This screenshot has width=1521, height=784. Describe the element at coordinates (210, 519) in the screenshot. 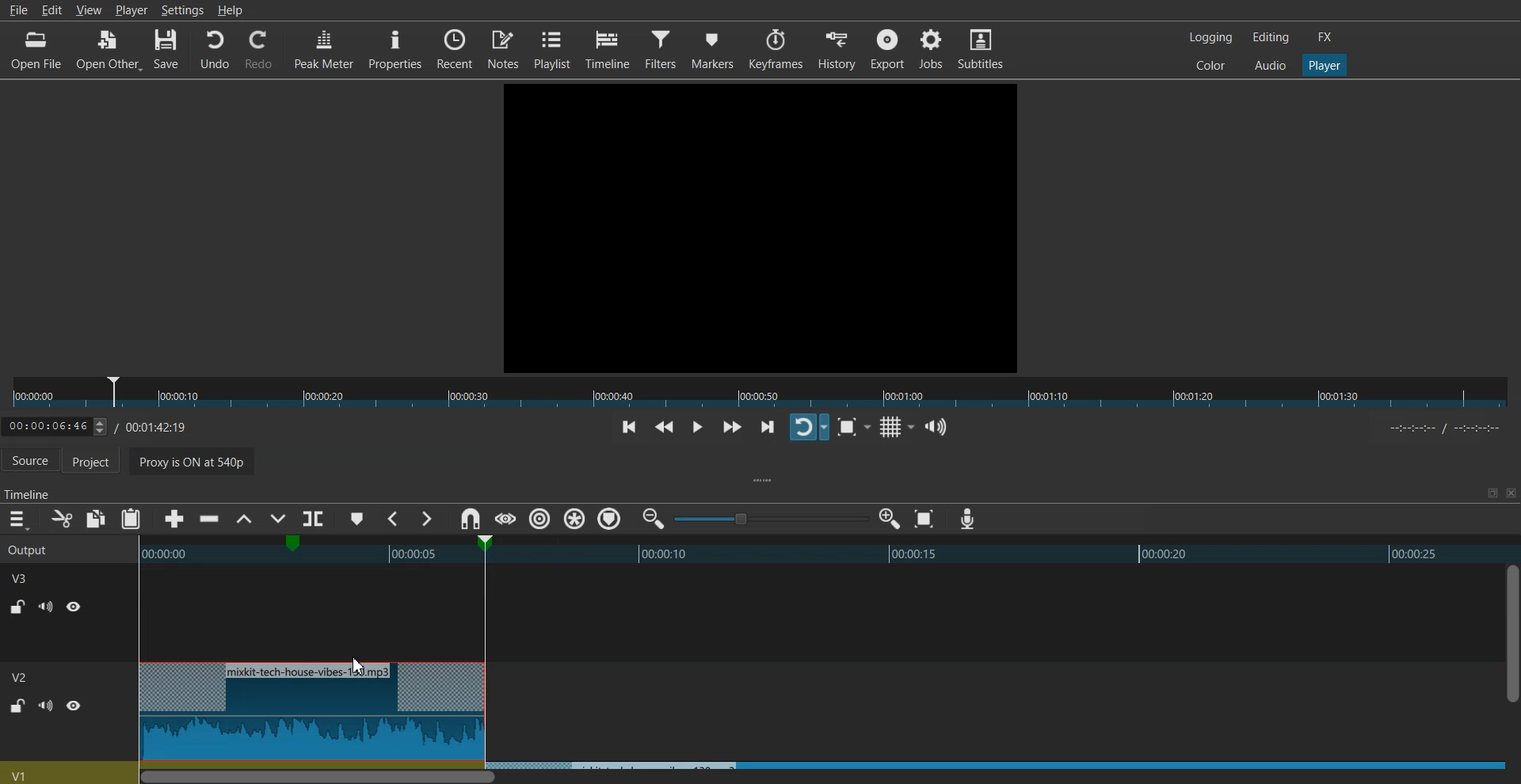

I see `Ripple delete` at that location.